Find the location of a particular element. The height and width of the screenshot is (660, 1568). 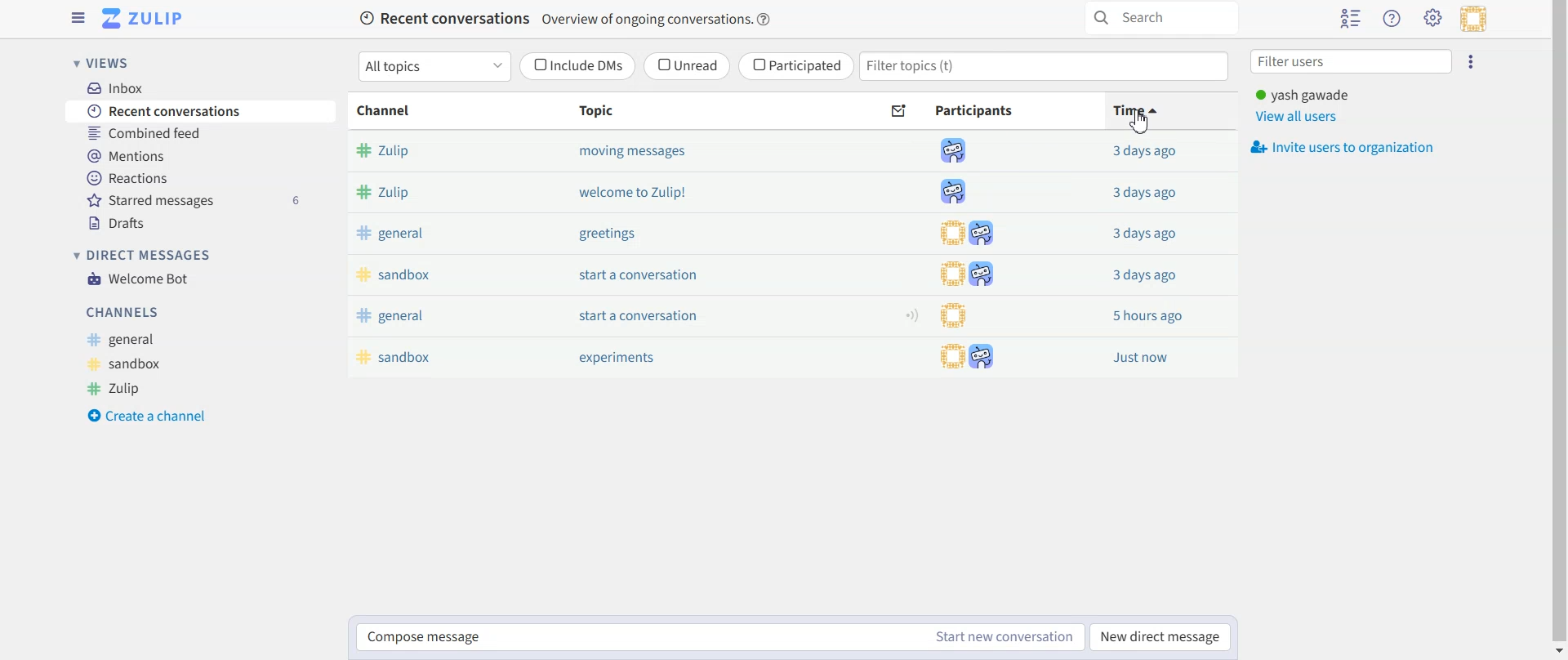

Direct messages is located at coordinates (140, 256).